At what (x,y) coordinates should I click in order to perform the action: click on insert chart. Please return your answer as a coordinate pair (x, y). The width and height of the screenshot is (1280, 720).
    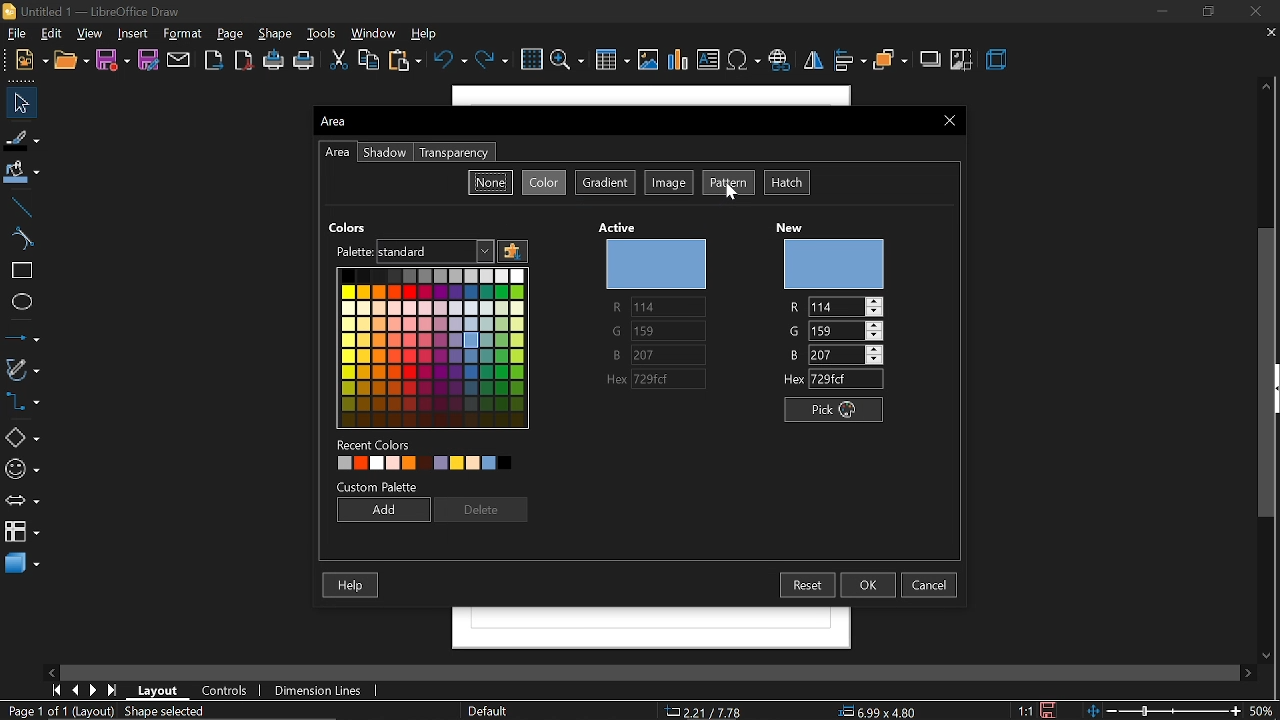
    Looking at the image, I should click on (678, 61).